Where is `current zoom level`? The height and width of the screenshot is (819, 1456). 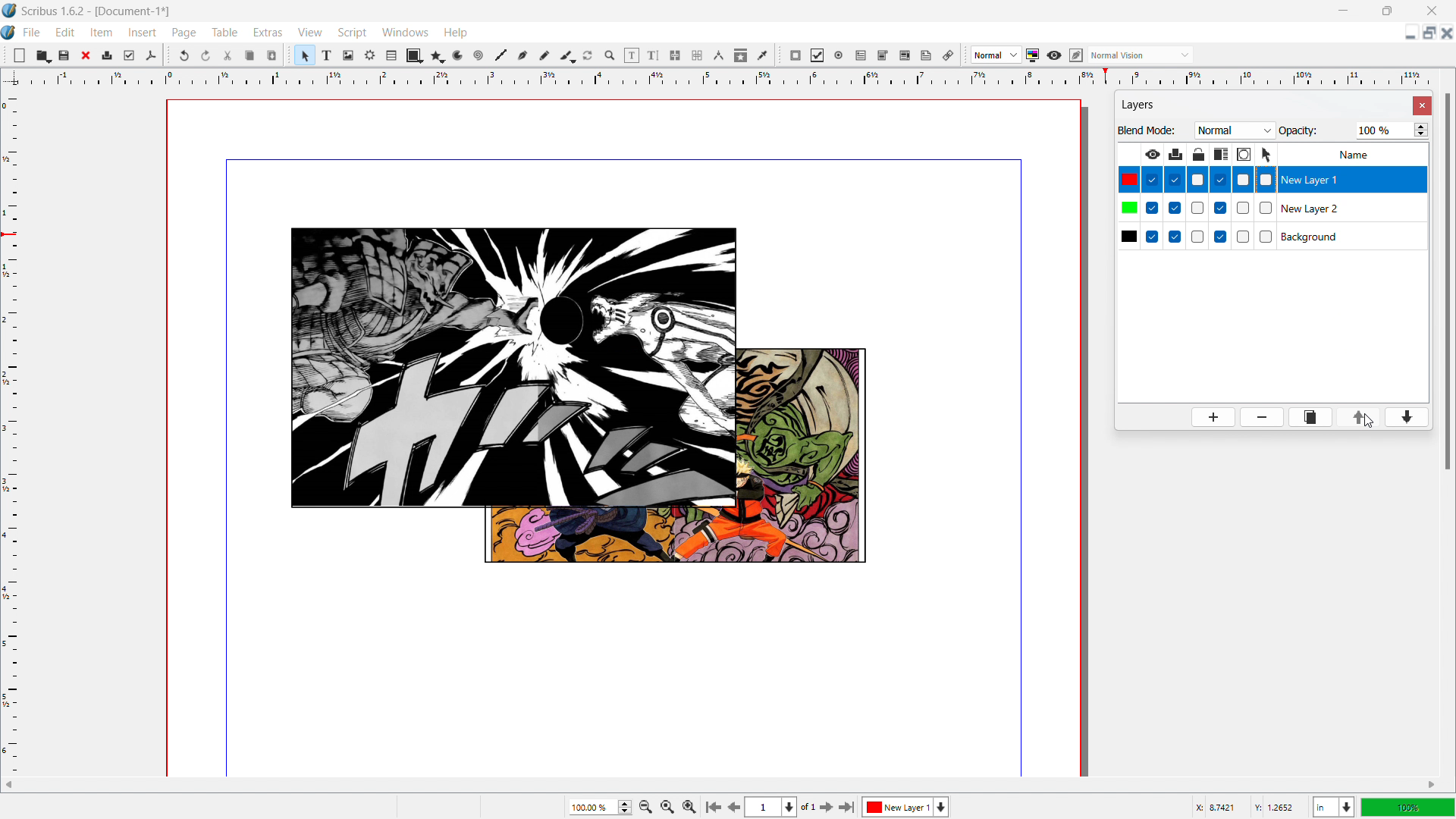
current zoom level is located at coordinates (599, 807).